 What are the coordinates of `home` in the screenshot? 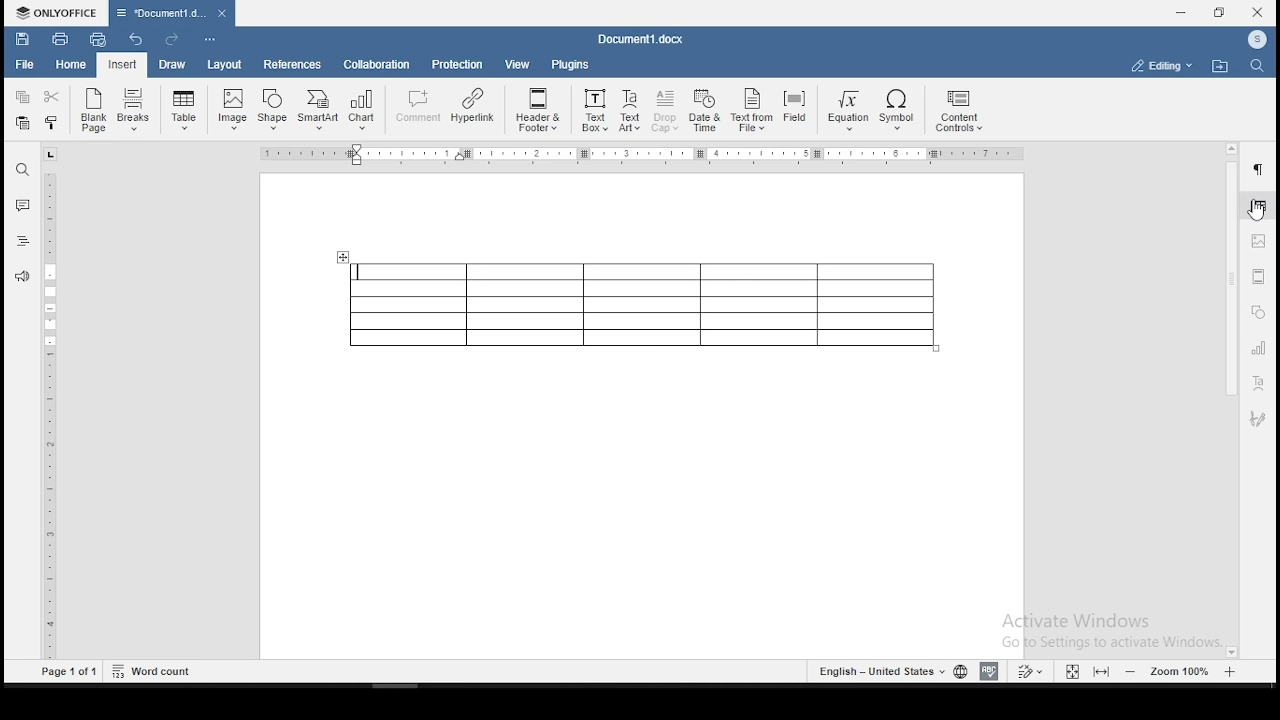 It's located at (71, 65).